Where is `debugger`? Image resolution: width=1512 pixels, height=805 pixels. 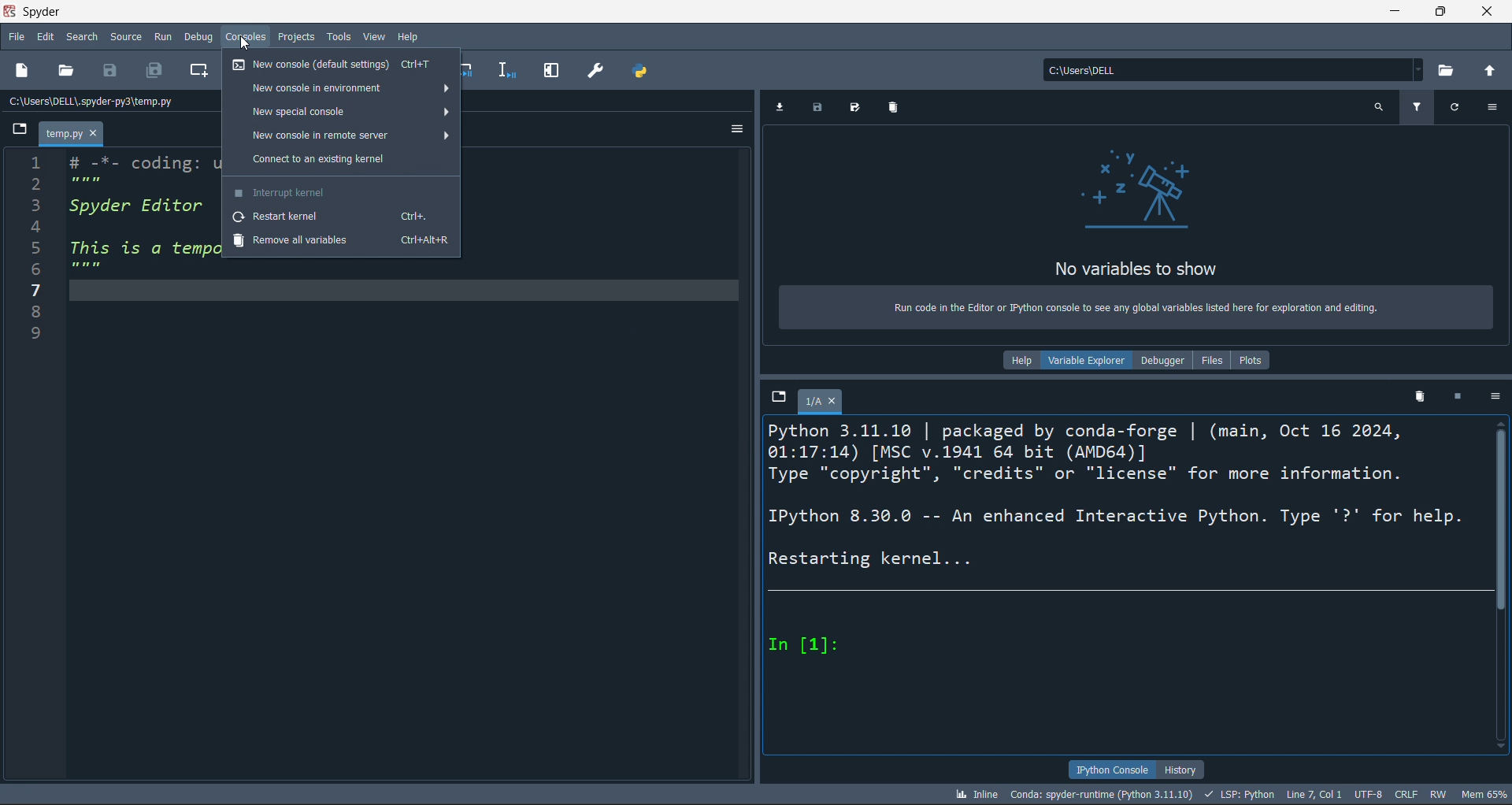 debugger is located at coordinates (1161, 359).